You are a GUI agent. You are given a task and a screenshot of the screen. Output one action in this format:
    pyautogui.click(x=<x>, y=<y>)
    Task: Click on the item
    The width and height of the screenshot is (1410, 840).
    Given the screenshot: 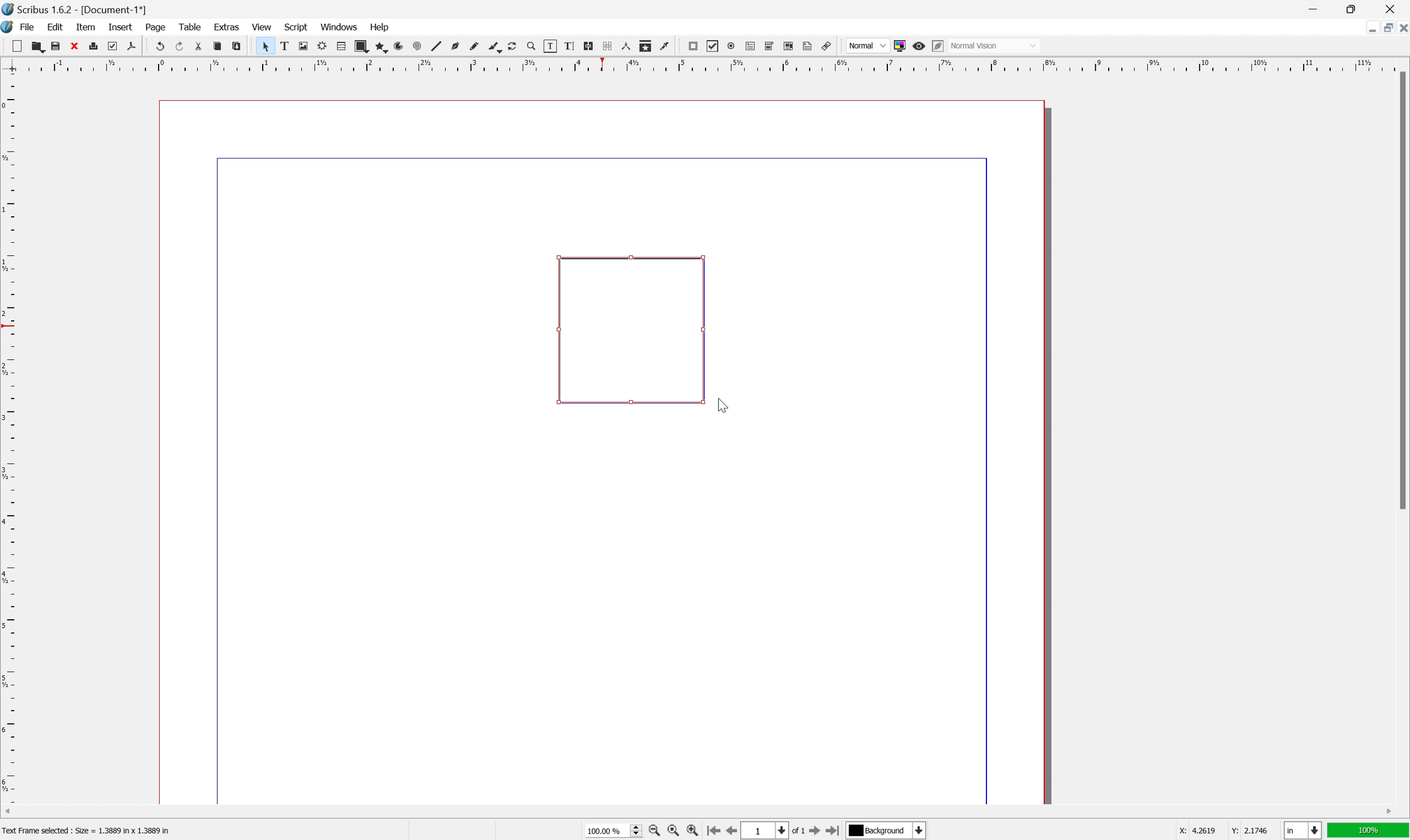 What is the action you would take?
    pyautogui.click(x=86, y=27)
    